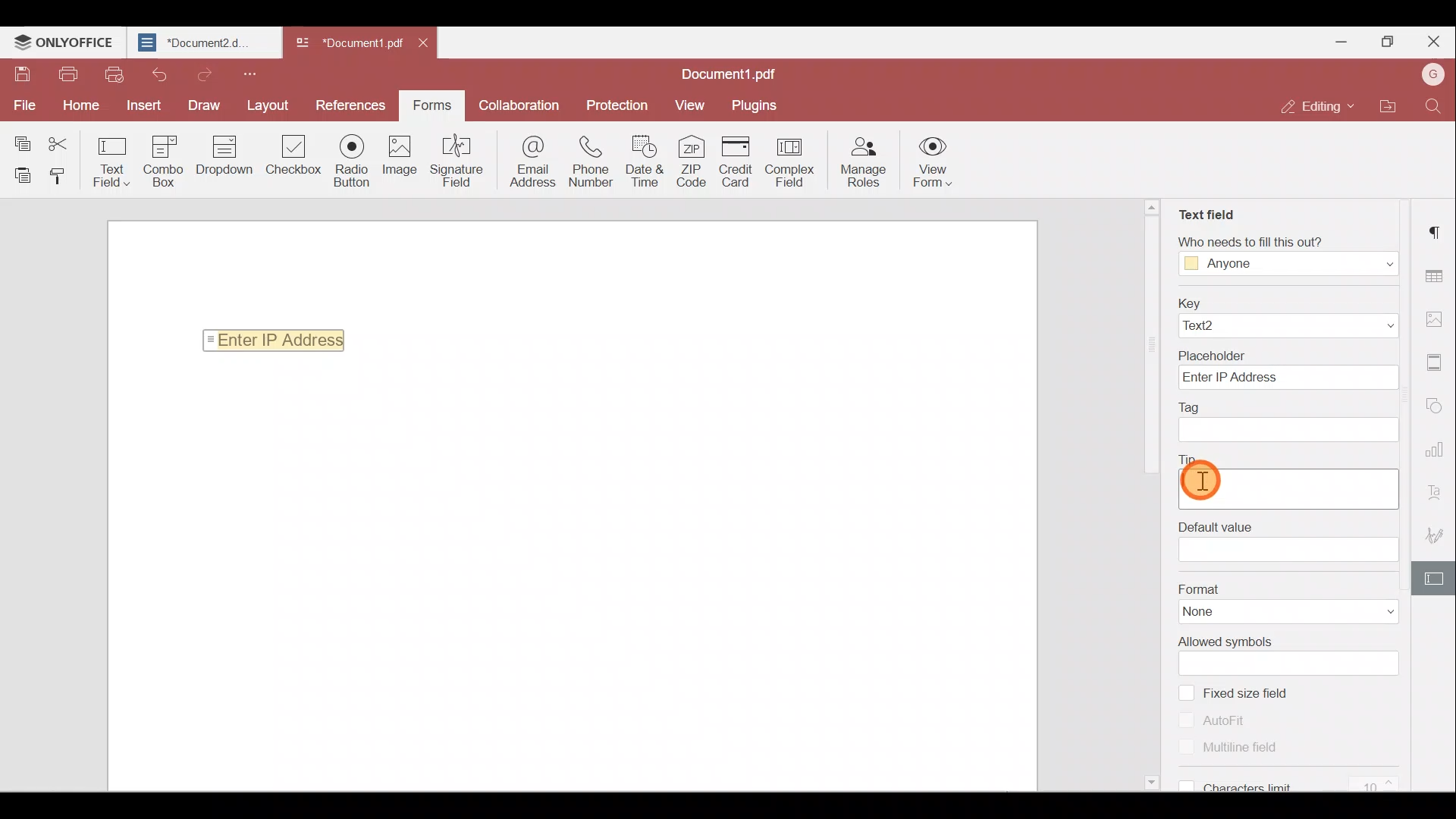 This screenshot has height=819, width=1456. I want to click on Default value, so click(1287, 488).